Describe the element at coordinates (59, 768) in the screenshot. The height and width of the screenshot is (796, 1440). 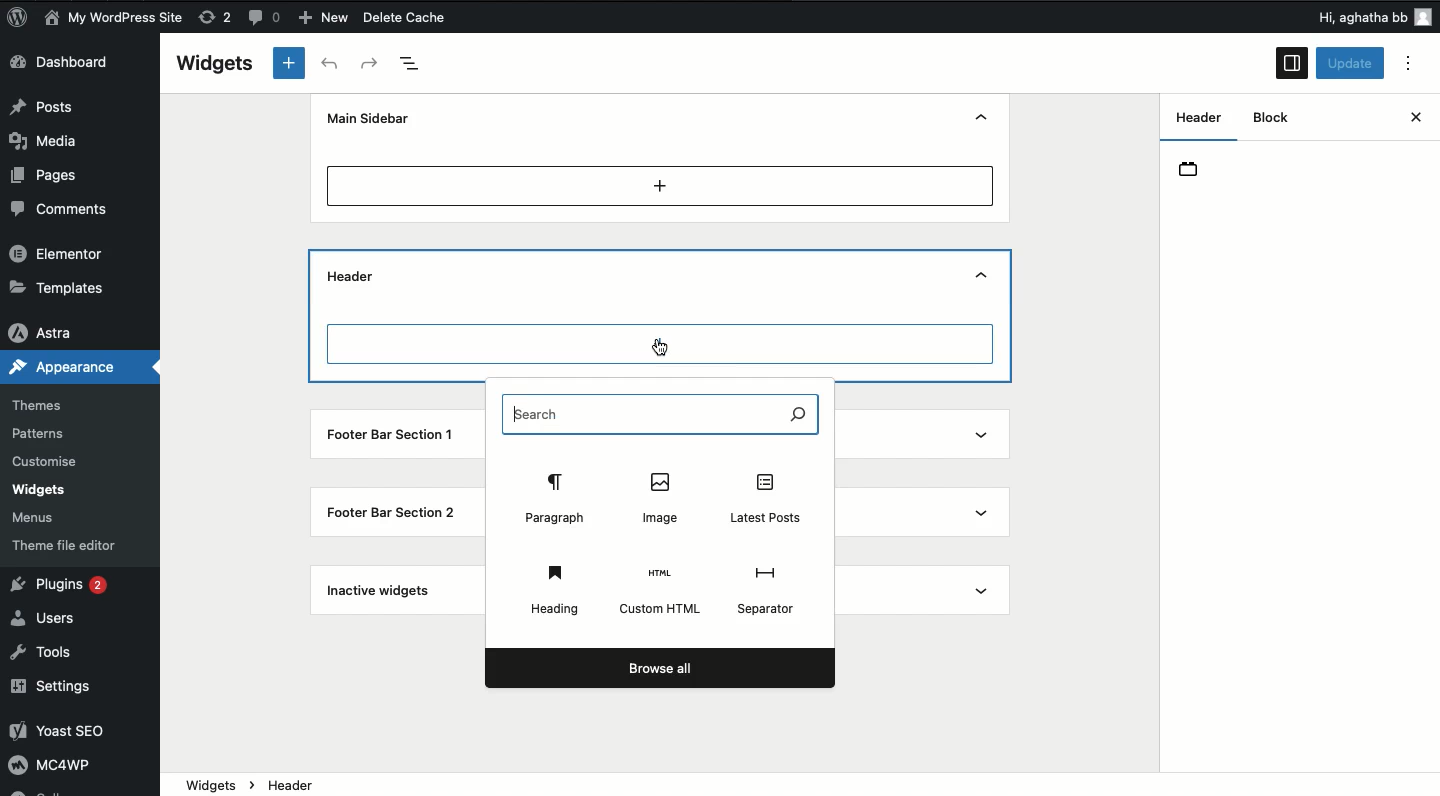
I see `MC4WP` at that location.